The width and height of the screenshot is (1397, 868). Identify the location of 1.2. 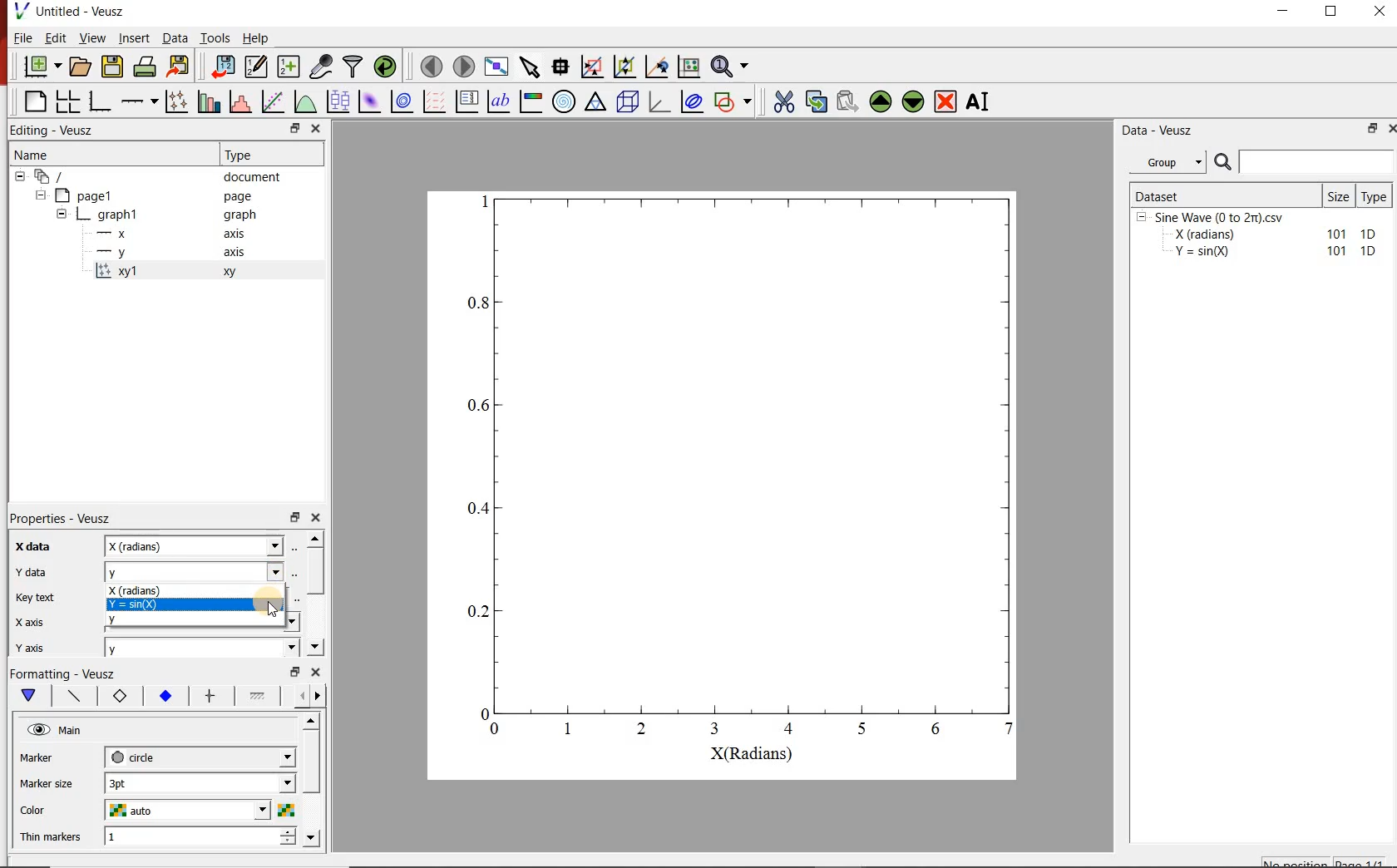
(163, 697).